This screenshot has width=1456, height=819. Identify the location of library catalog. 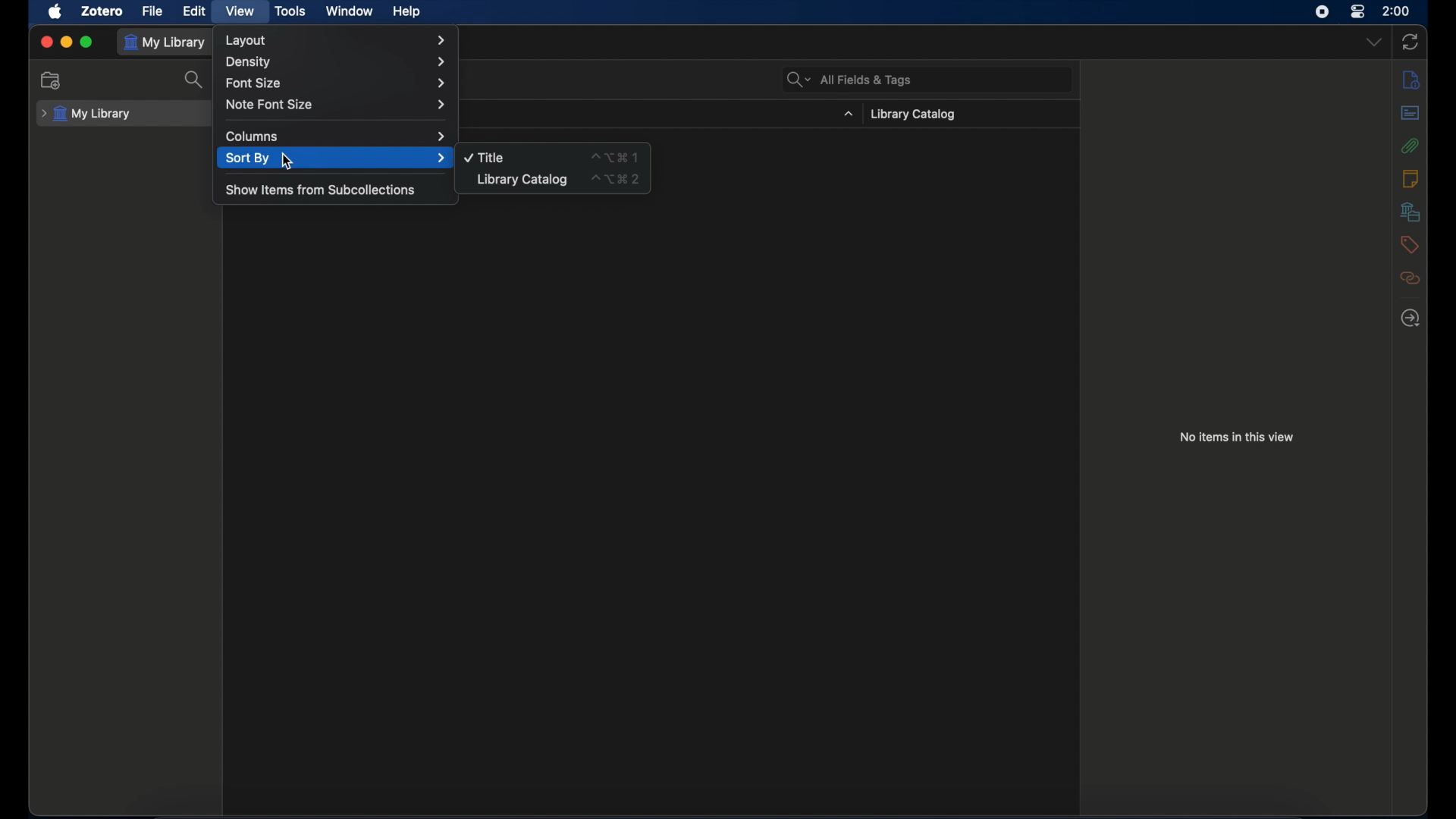
(522, 179).